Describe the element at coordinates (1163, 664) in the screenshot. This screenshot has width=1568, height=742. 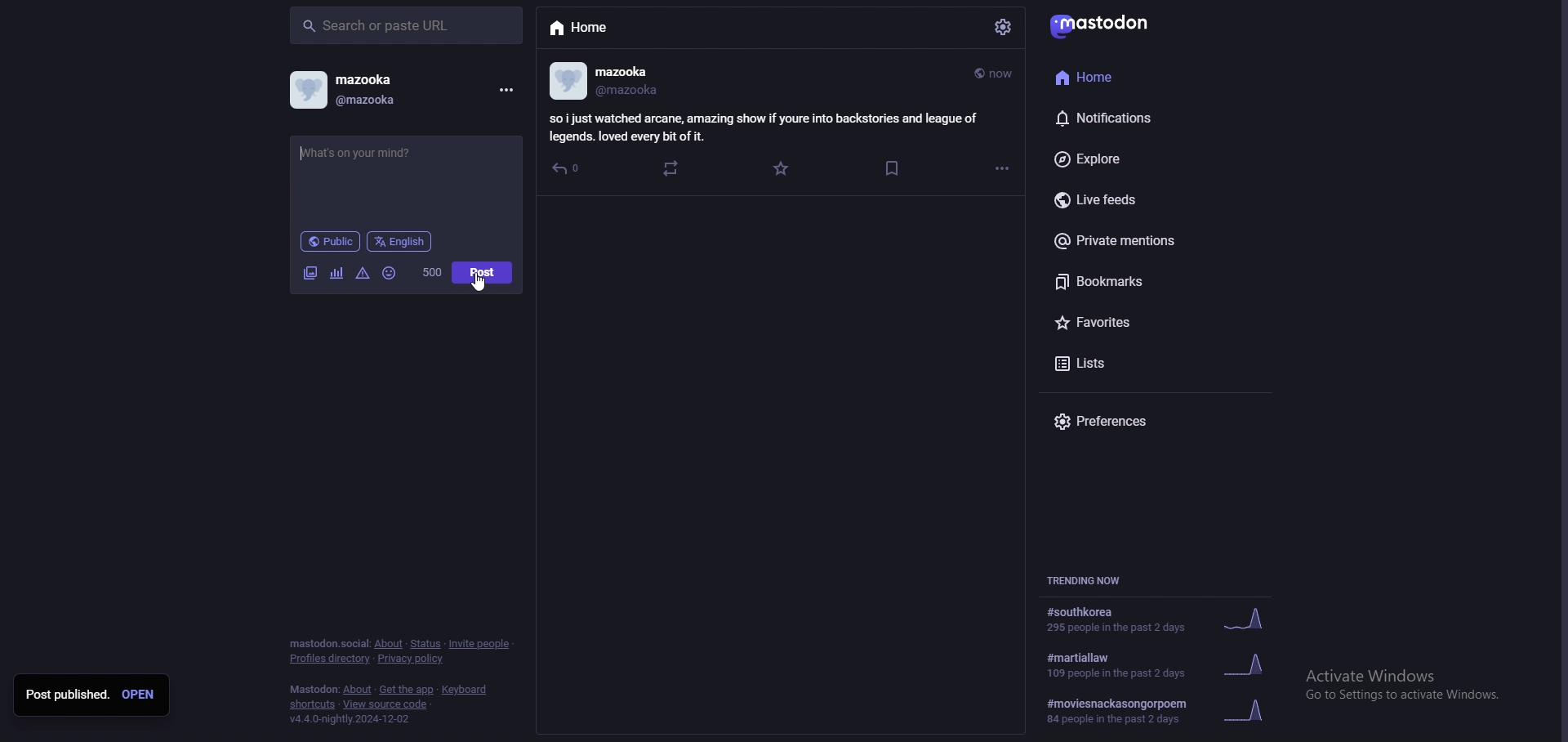
I see `trending` at that location.